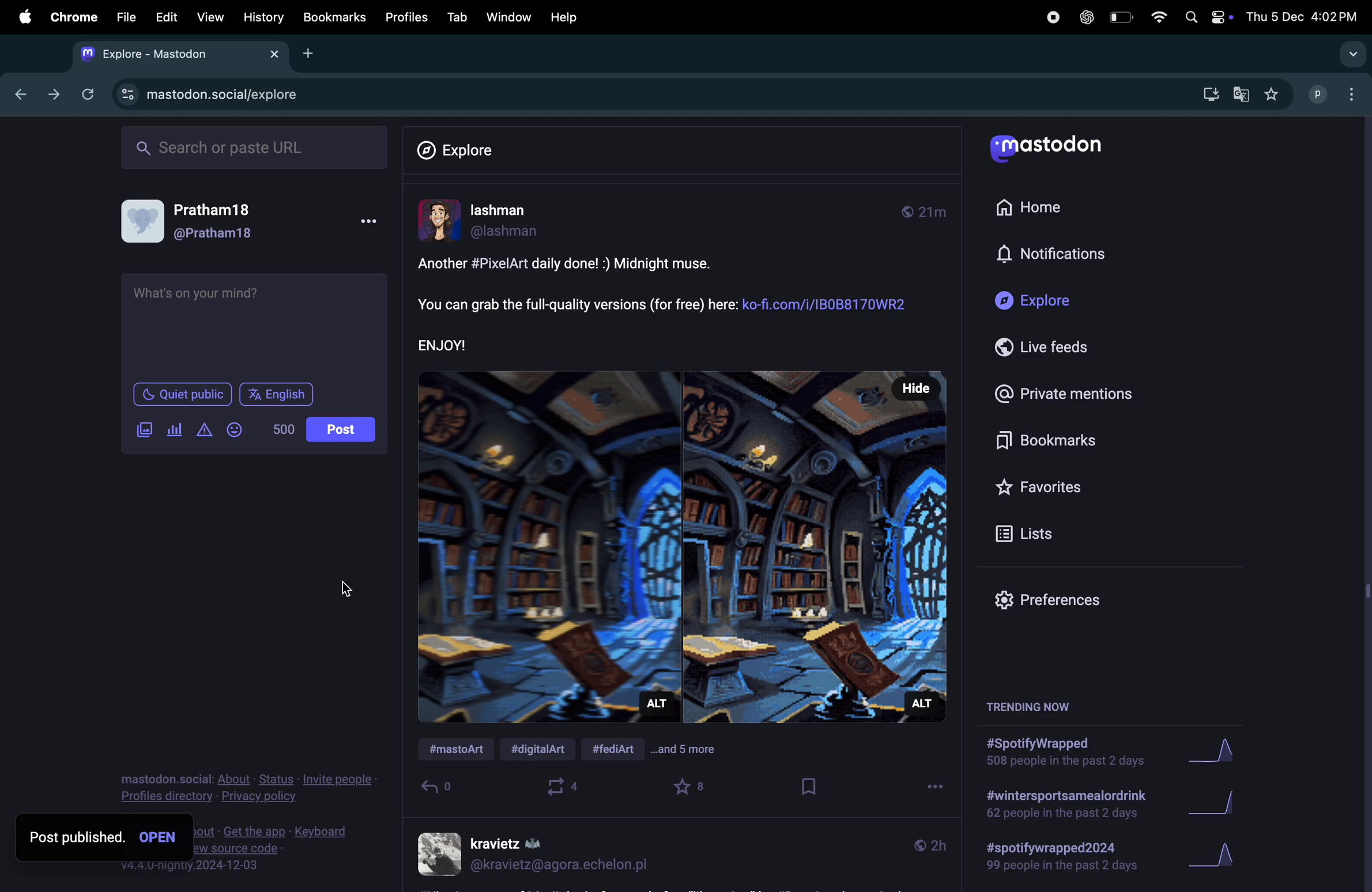 This screenshot has height=892, width=1372. I want to click on post published, so click(74, 834).